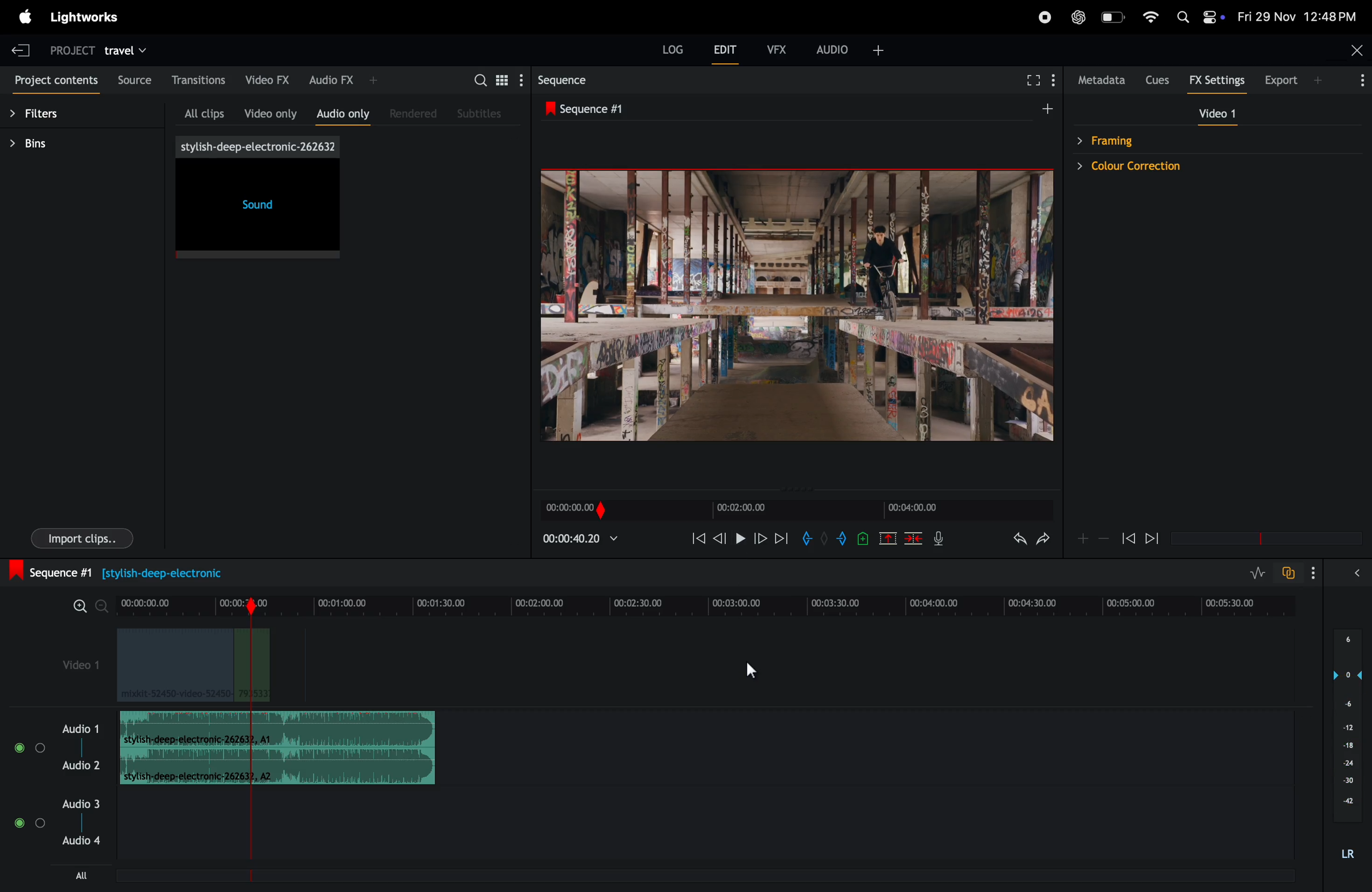  I want to click on record, so click(1045, 17).